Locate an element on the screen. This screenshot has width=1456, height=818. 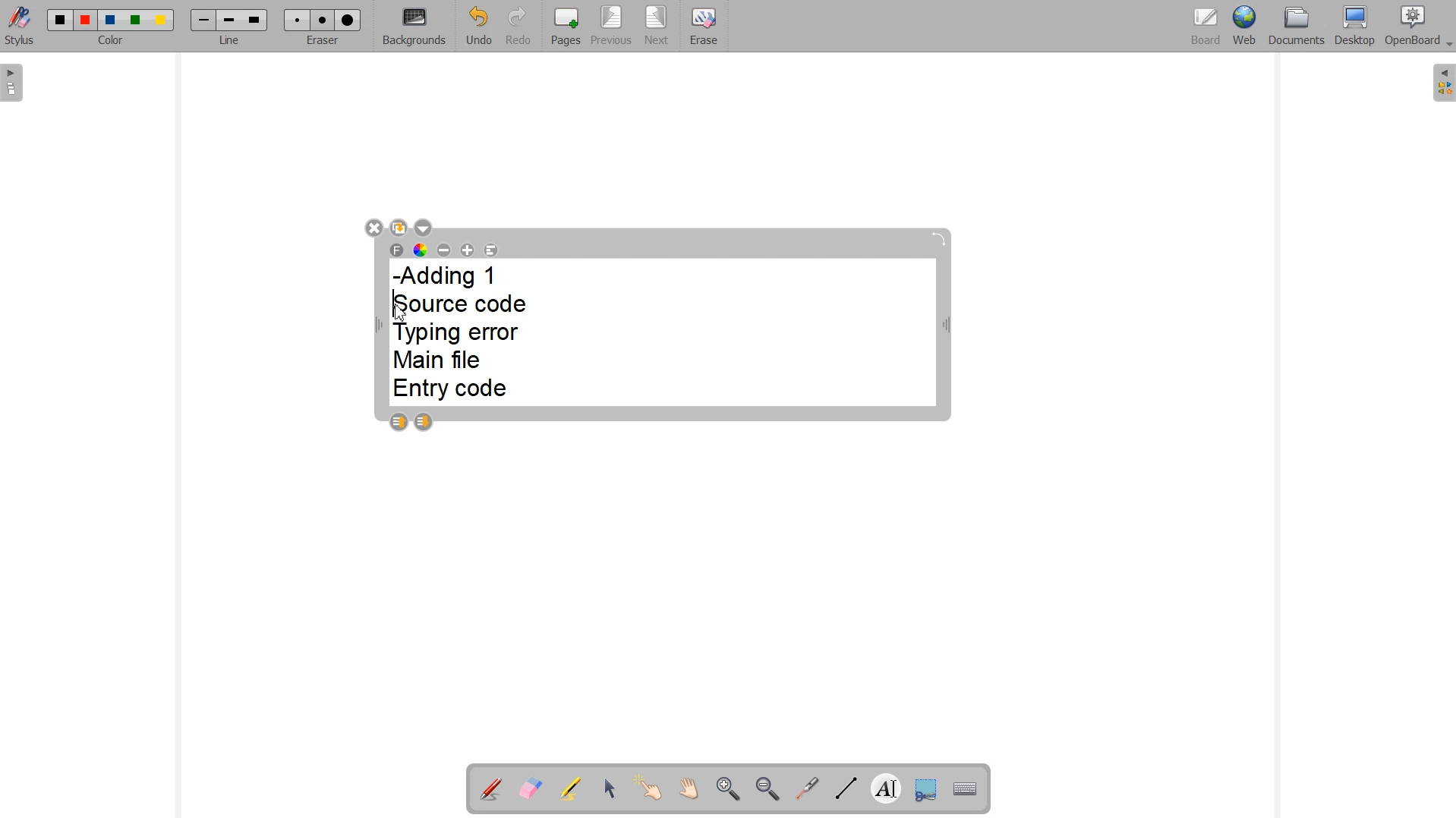
Erase is located at coordinates (704, 24).